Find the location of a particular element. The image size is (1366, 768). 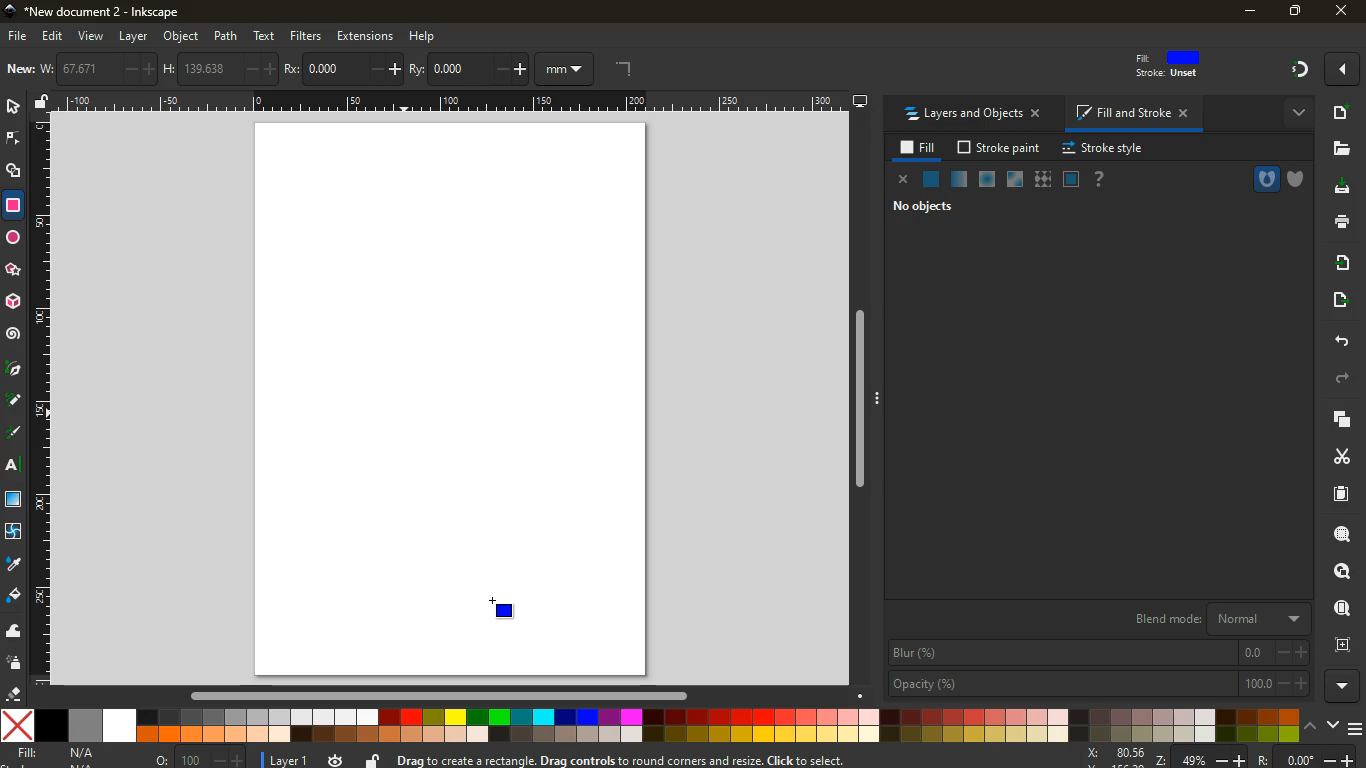

hole is located at coordinates (1265, 178).